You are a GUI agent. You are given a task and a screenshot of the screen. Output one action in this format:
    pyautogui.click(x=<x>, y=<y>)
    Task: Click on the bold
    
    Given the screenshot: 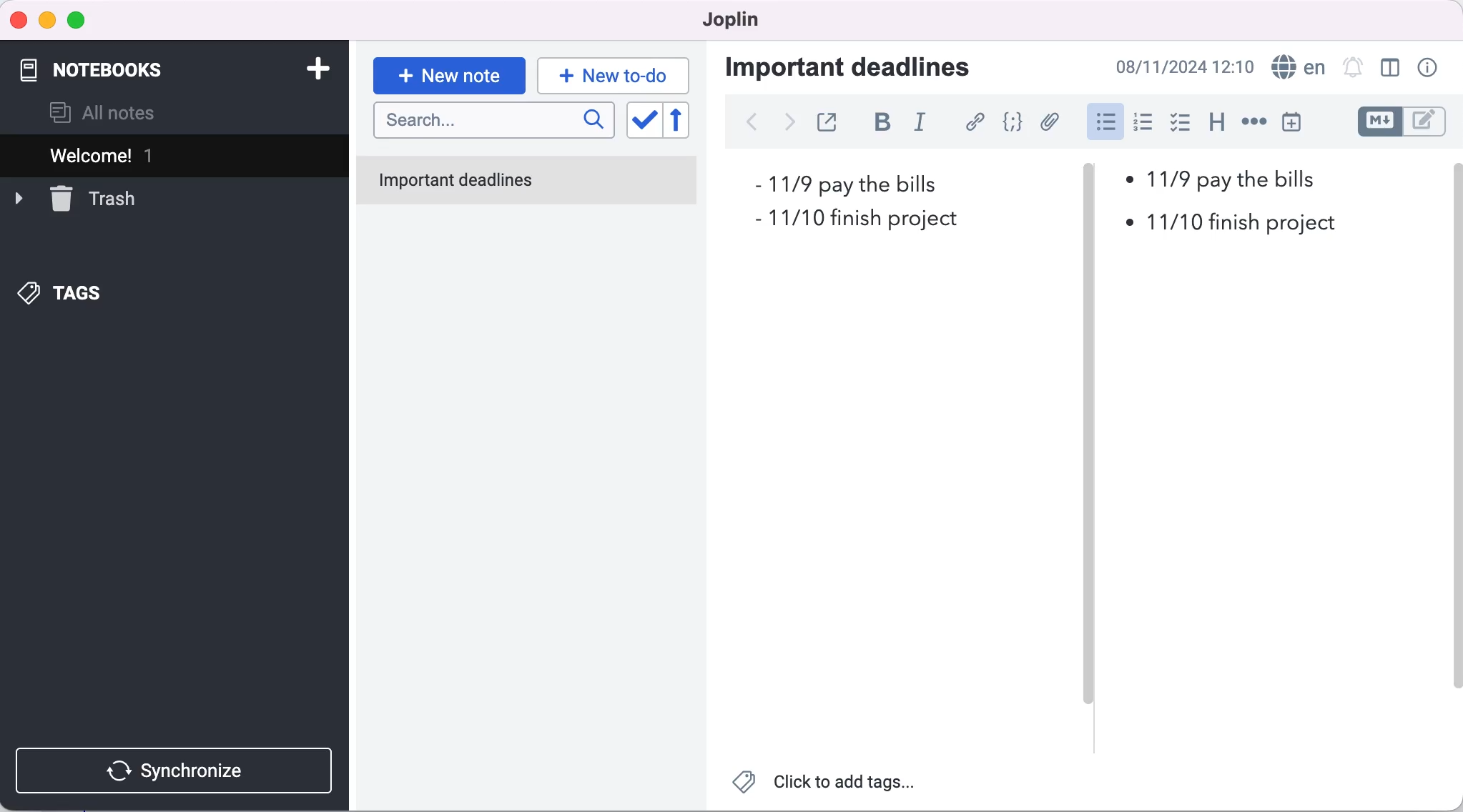 What is the action you would take?
    pyautogui.click(x=876, y=124)
    